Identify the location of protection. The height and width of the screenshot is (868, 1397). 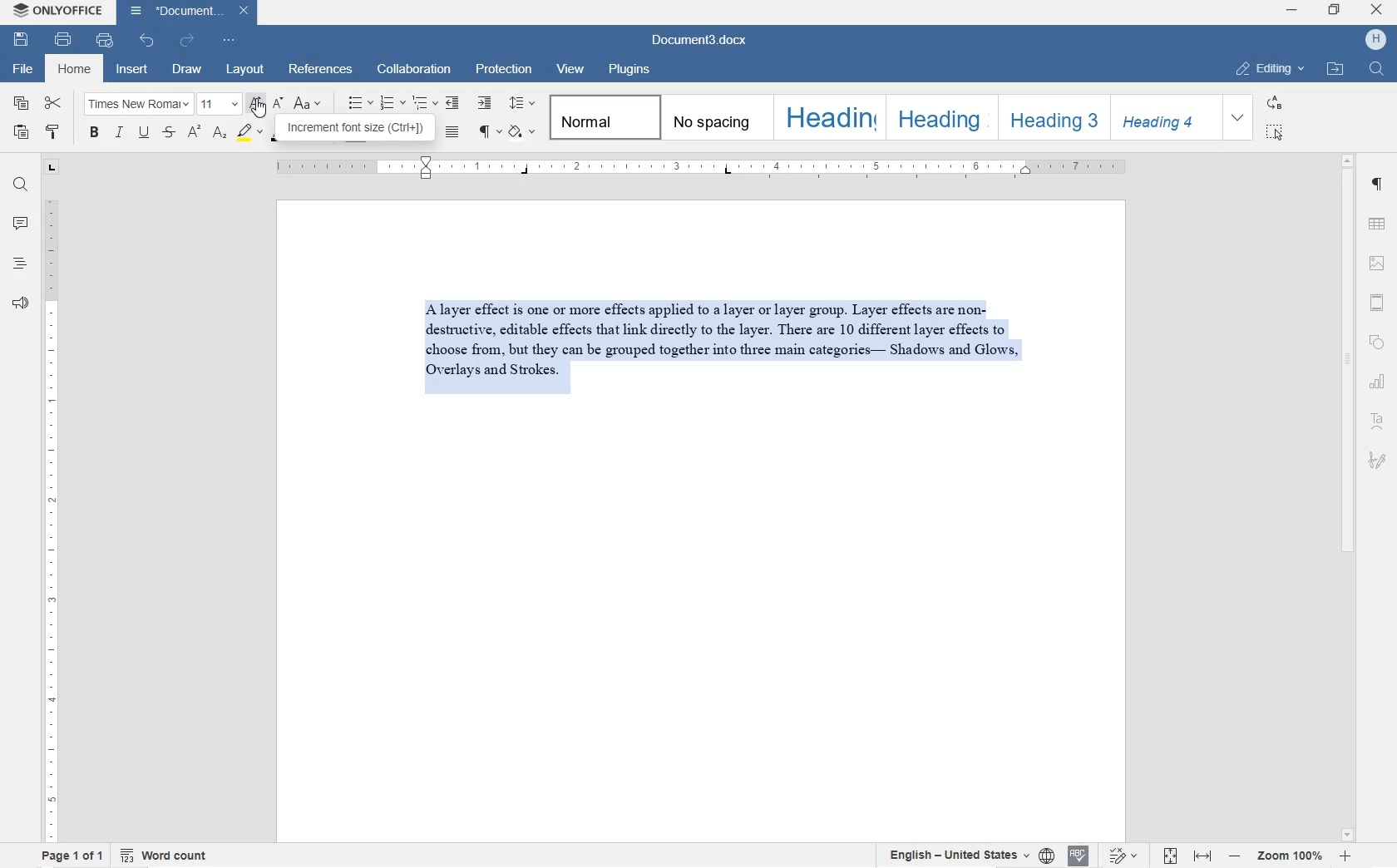
(504, 68).